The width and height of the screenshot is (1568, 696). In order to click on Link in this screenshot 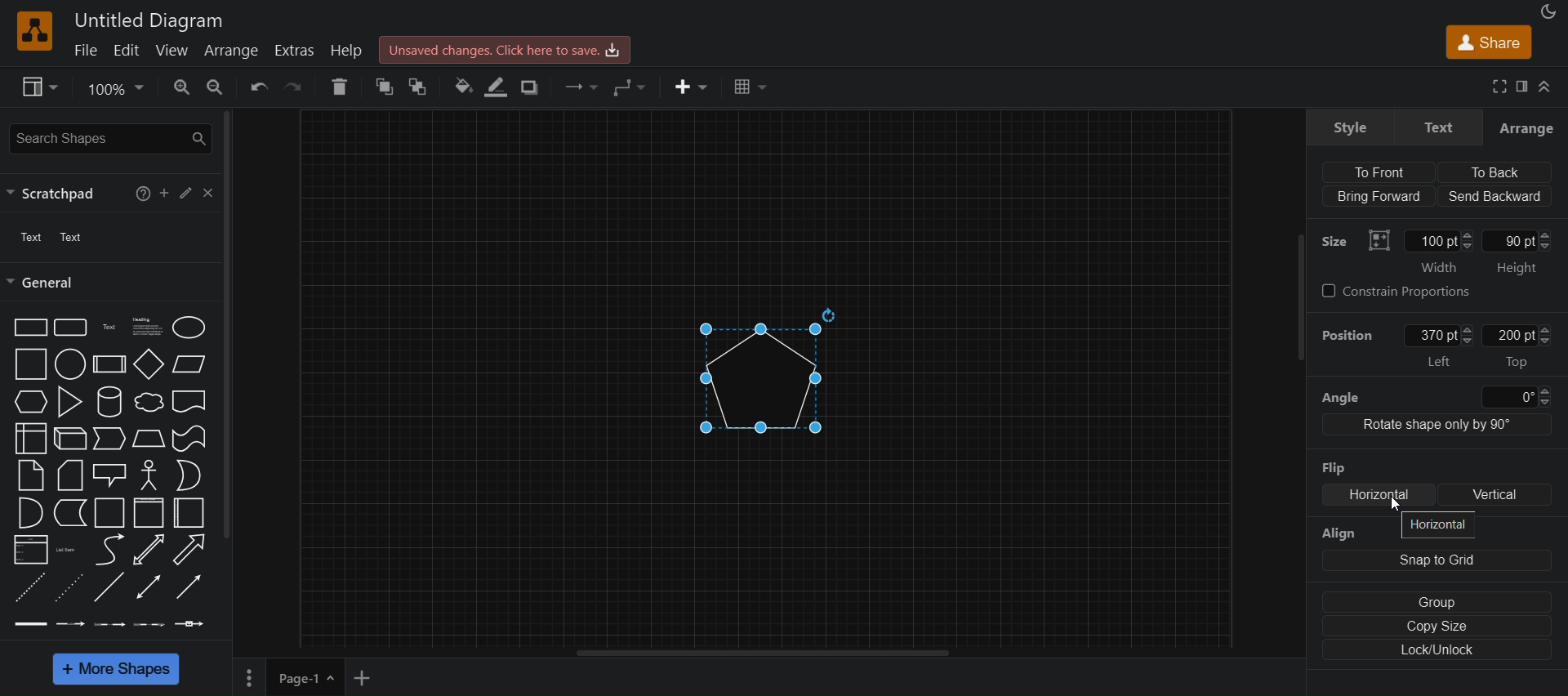, I will do `click(31, 624)`.